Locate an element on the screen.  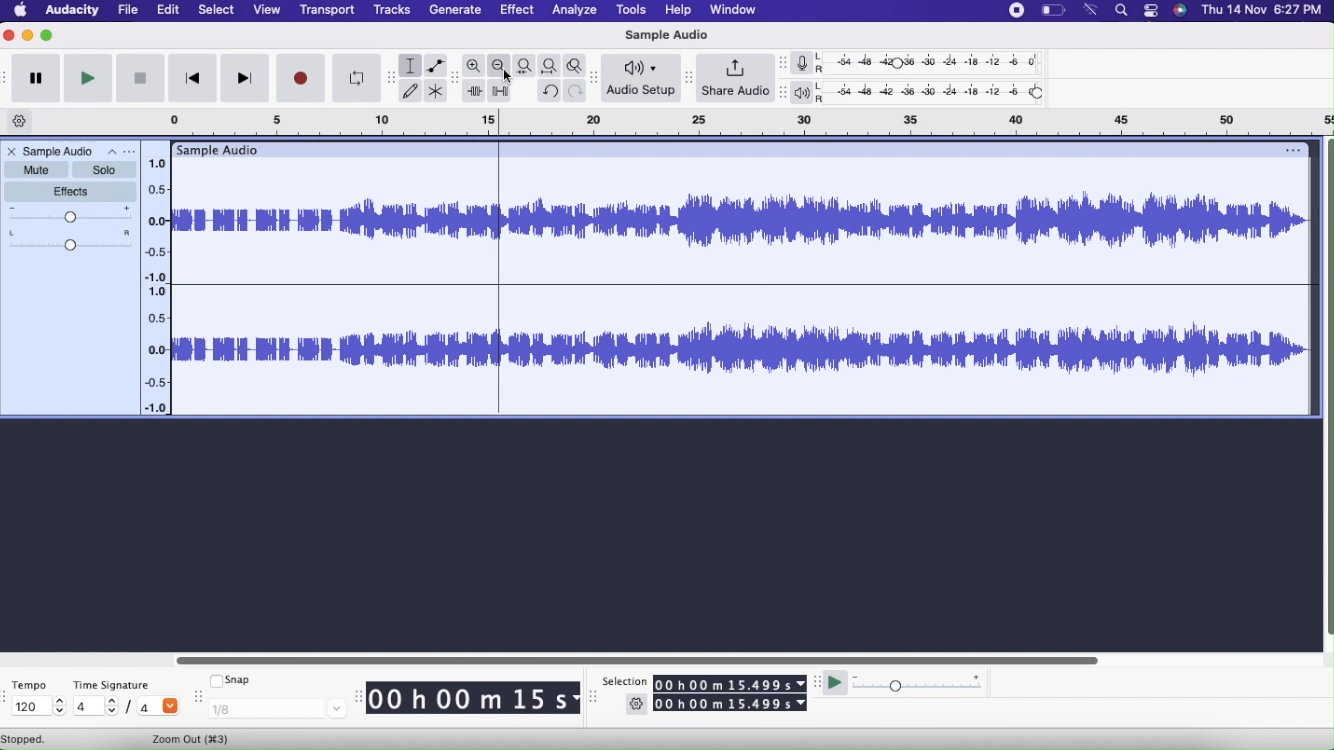
/ is located at coordinates (129, 707).